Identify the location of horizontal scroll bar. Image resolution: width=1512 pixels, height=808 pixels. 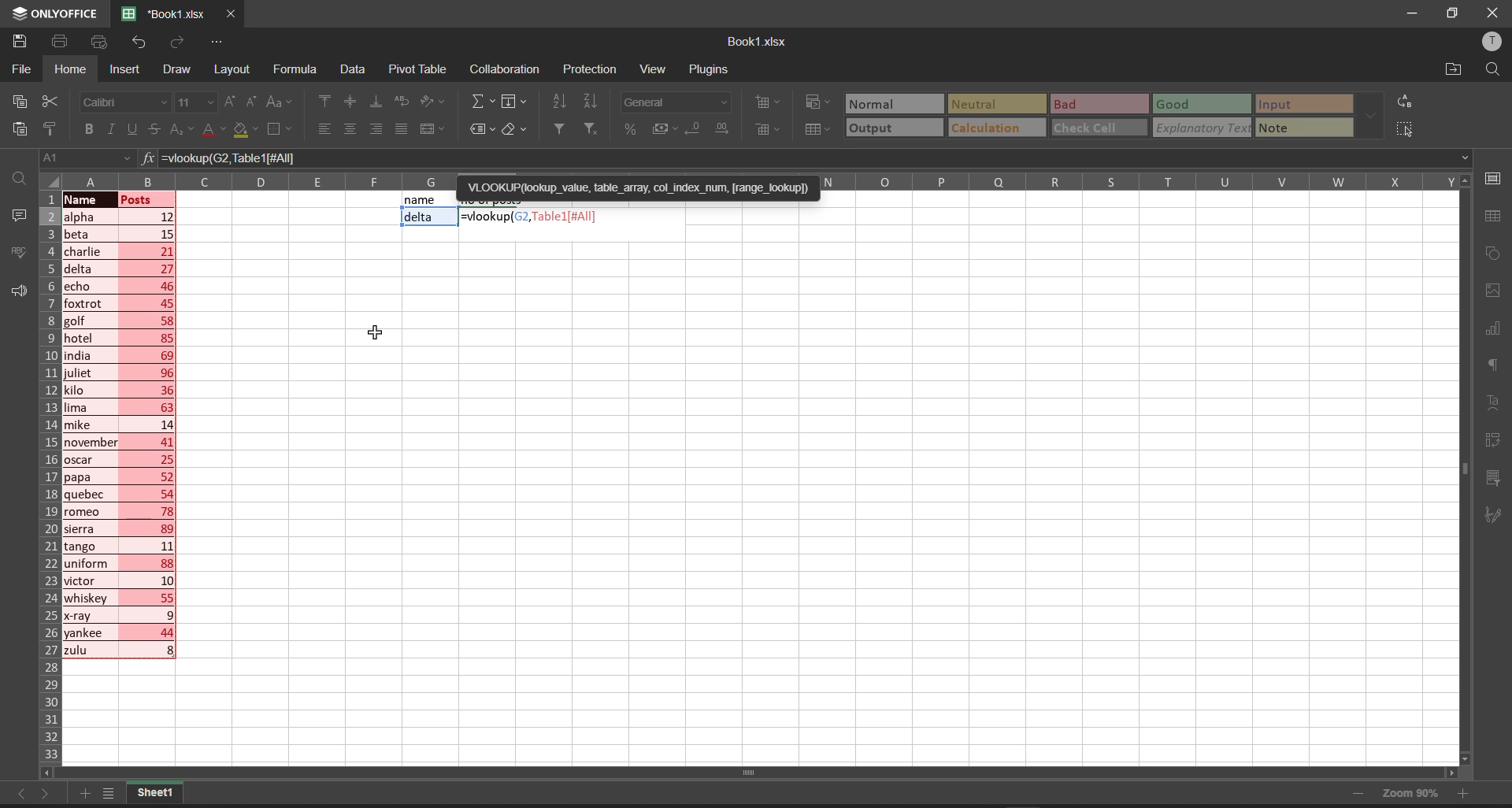
(753, 773).